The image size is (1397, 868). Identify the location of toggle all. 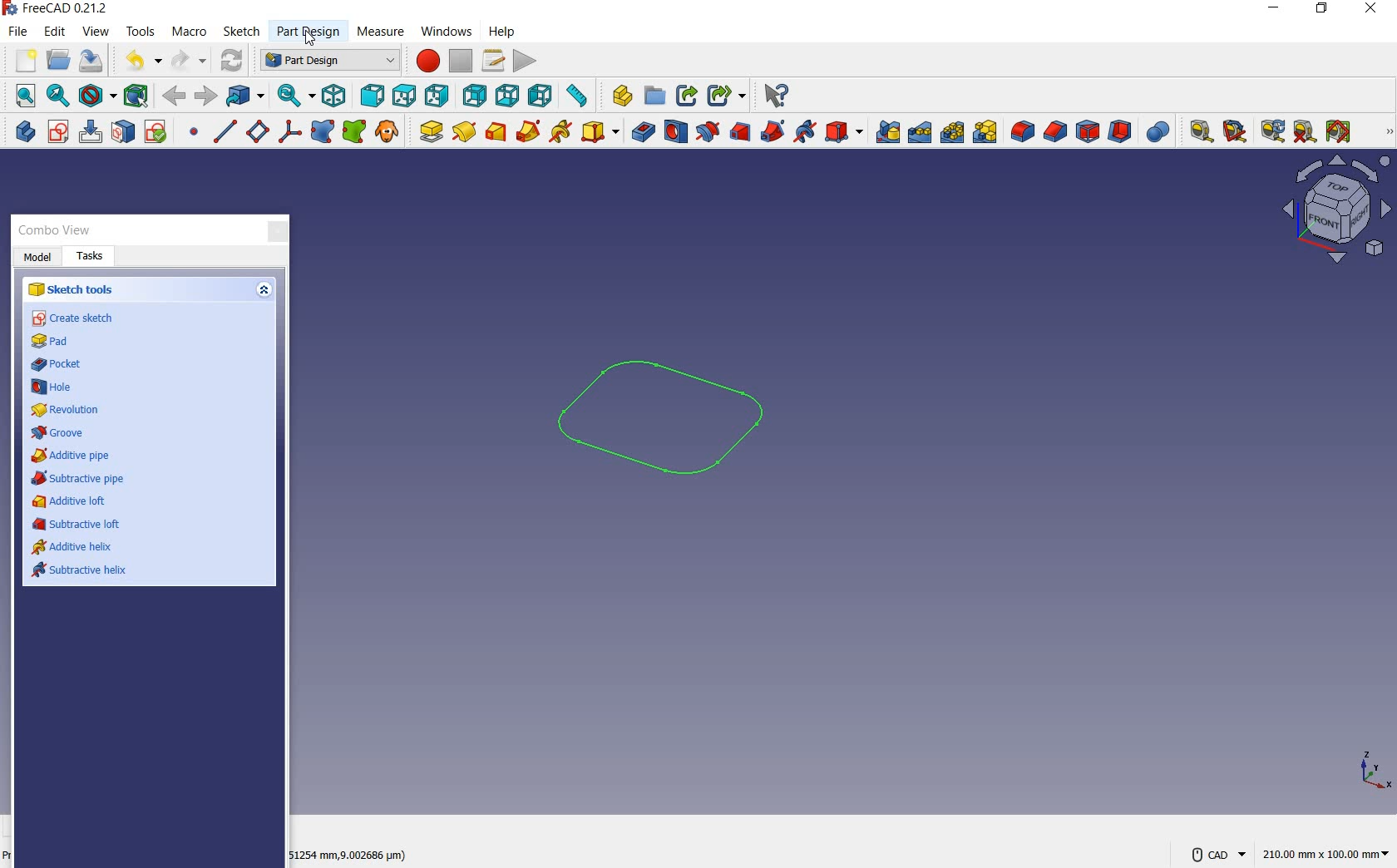
(1341, 132).